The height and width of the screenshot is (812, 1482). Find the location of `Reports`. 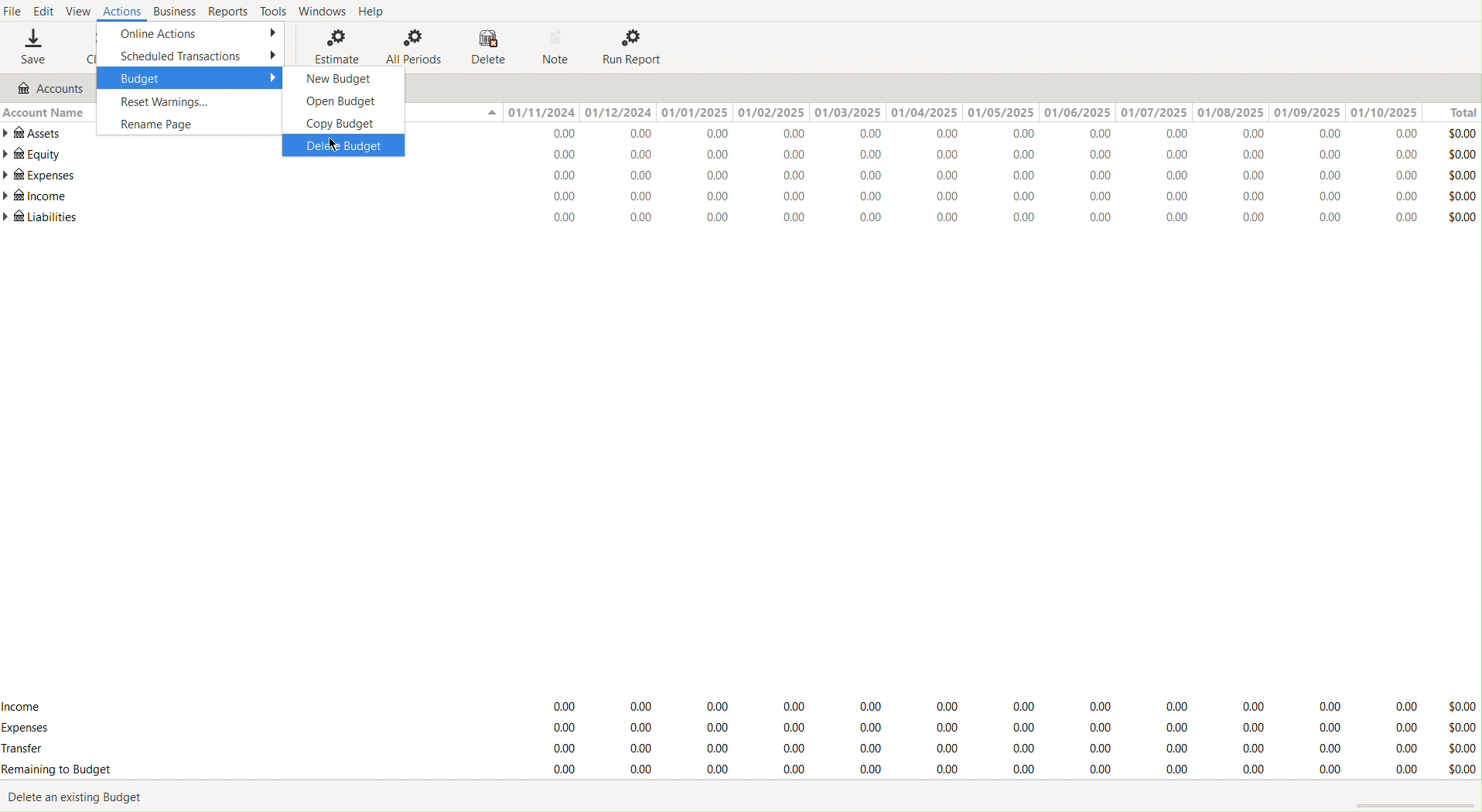

Reports is located at coordinates (227, 11).